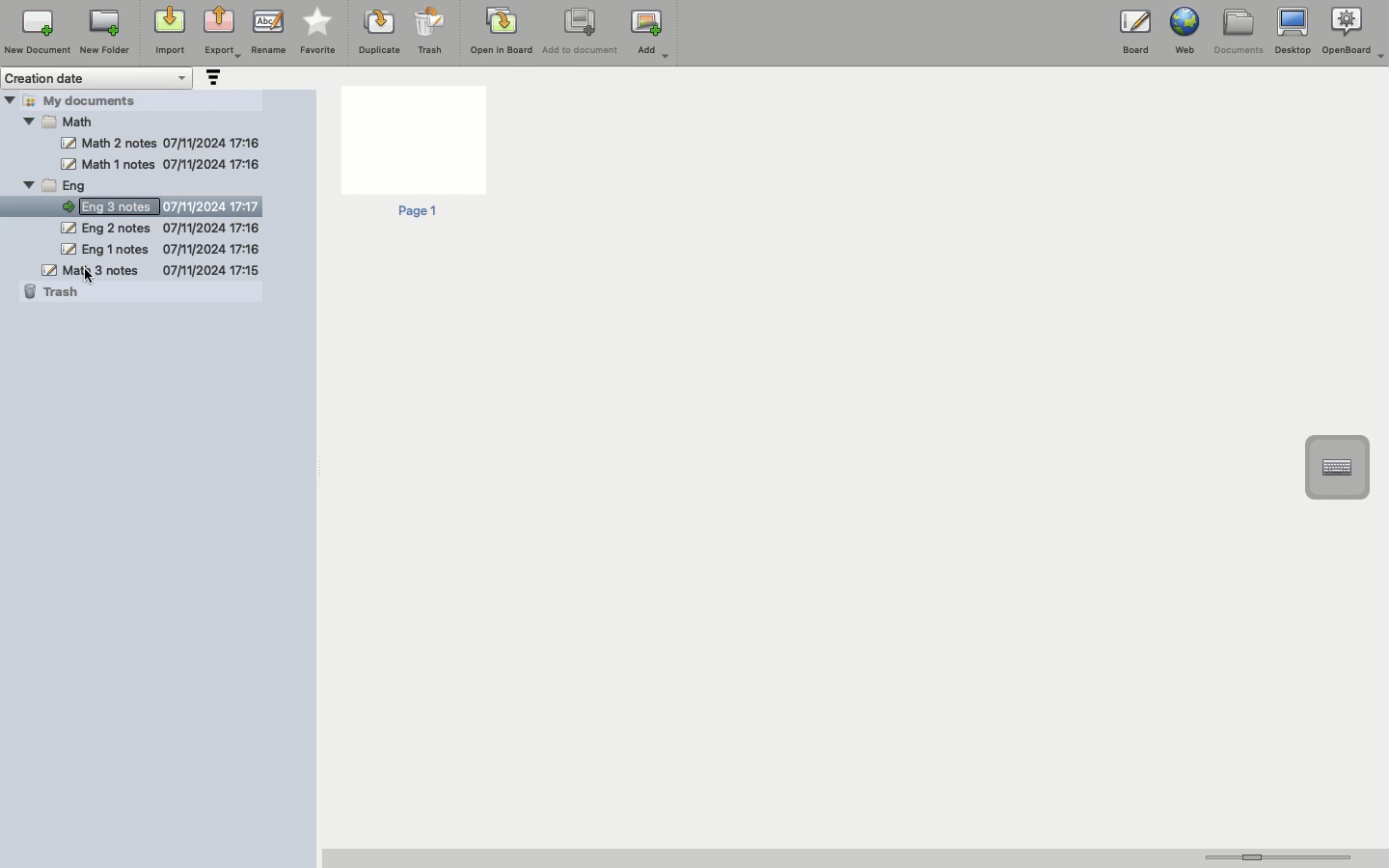 The height and width of the screenshot is (868, 1389). What do you see at coordinates (29, 187) in the screenshot?
I see `Hide` at bounding box center [29, 187].